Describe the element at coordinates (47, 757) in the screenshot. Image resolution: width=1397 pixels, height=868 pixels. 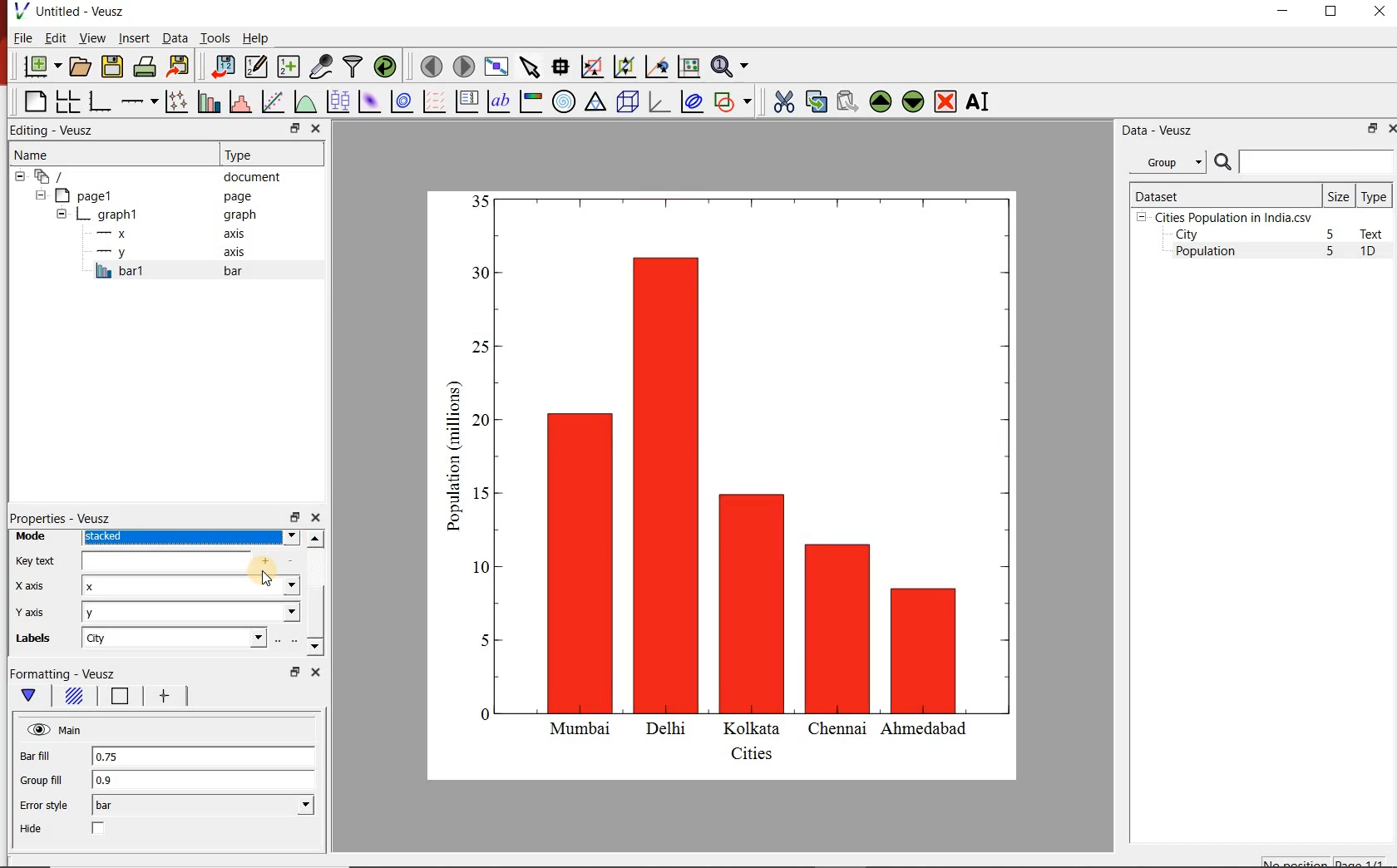
I see `Bar fill` at that location.